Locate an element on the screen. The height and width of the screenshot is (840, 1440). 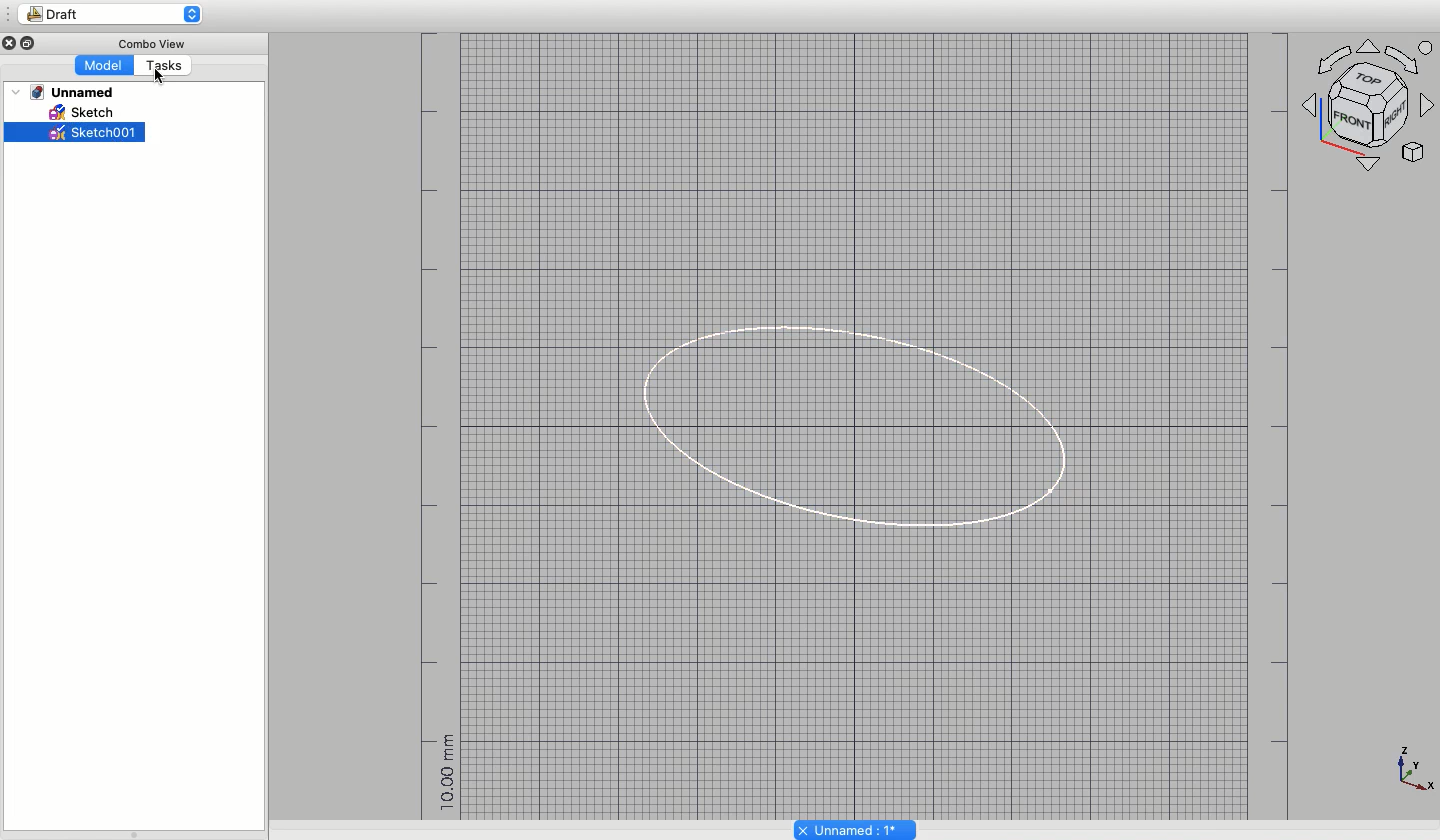
Minimize is located at coordinates (29, 43).